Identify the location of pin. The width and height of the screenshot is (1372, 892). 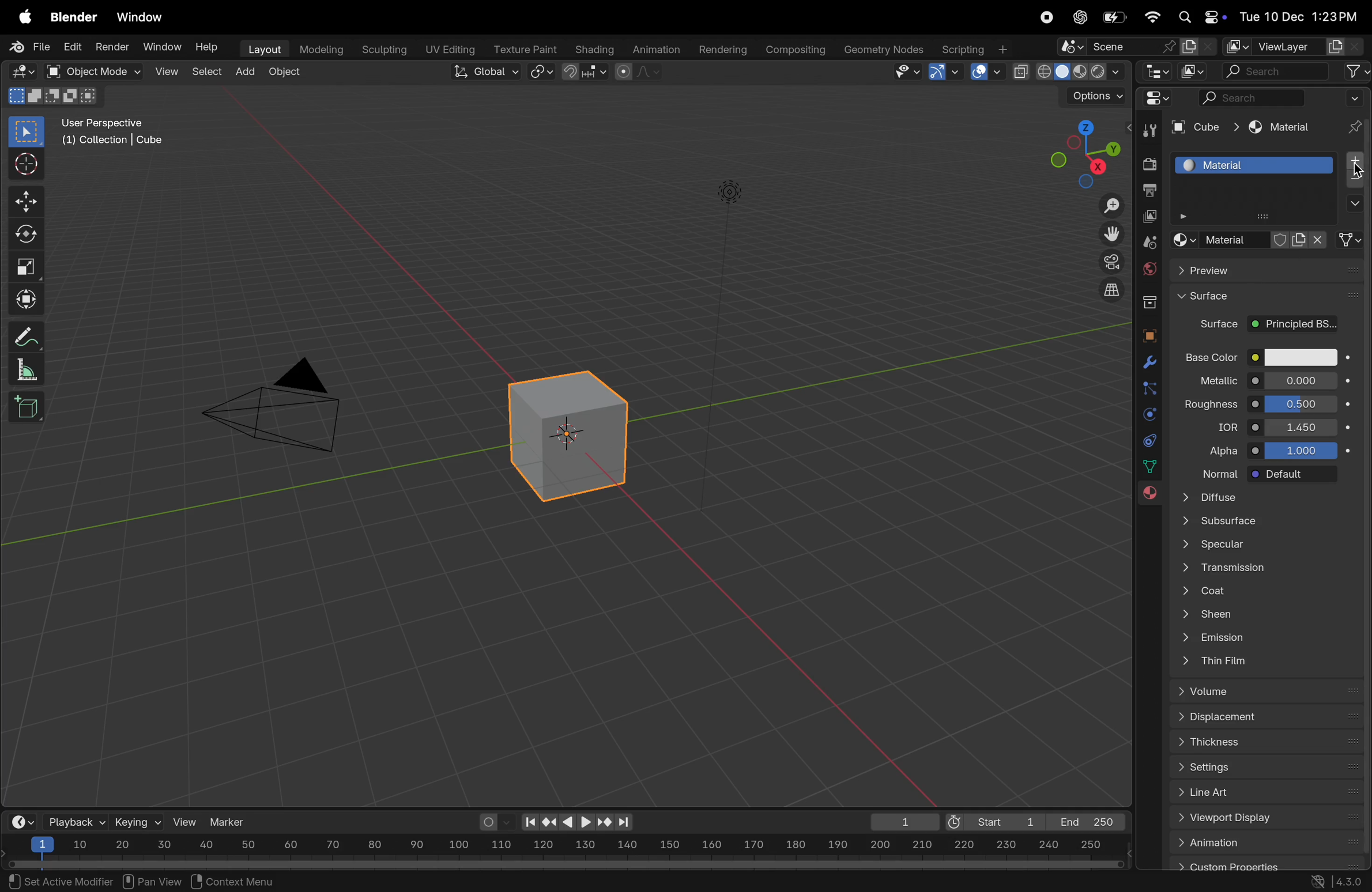
(1352, 114).